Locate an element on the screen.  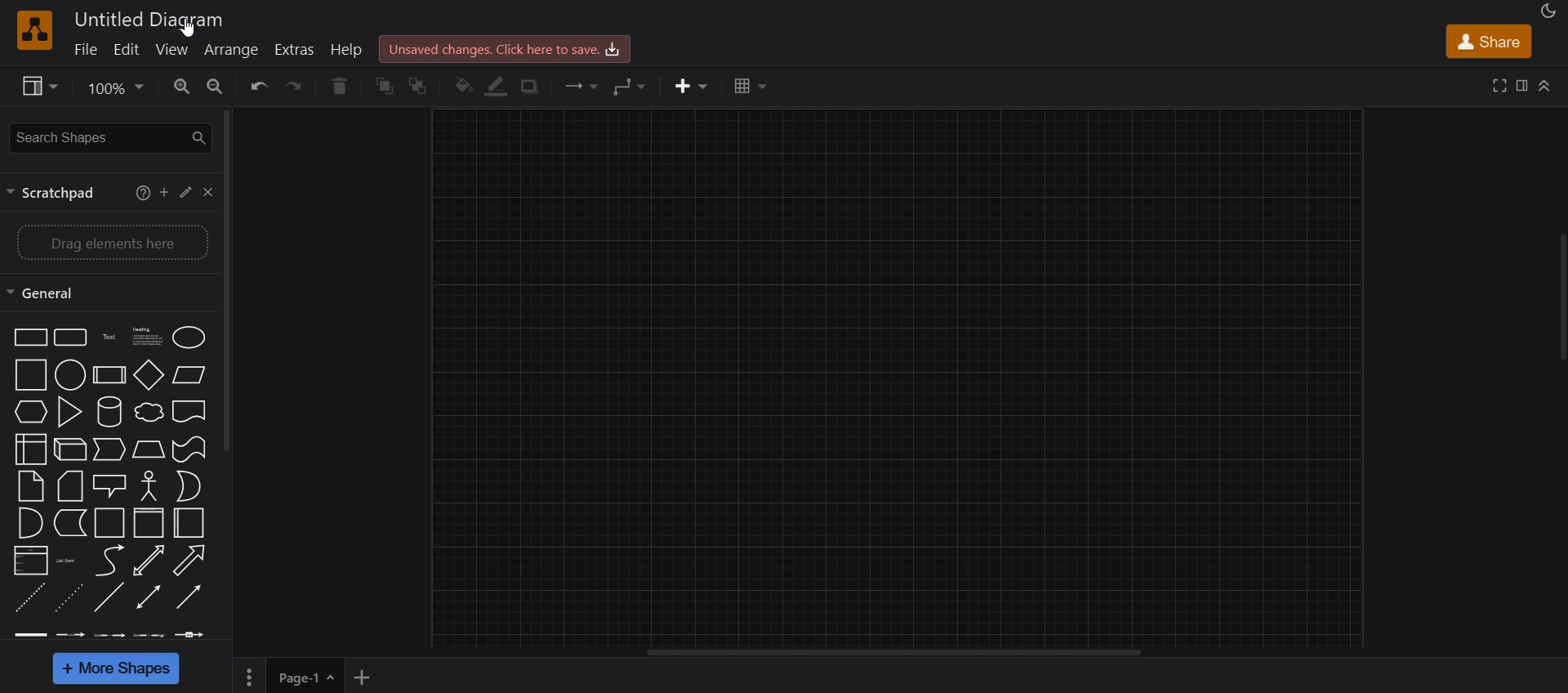
to front is located at coordinates (387, 84).